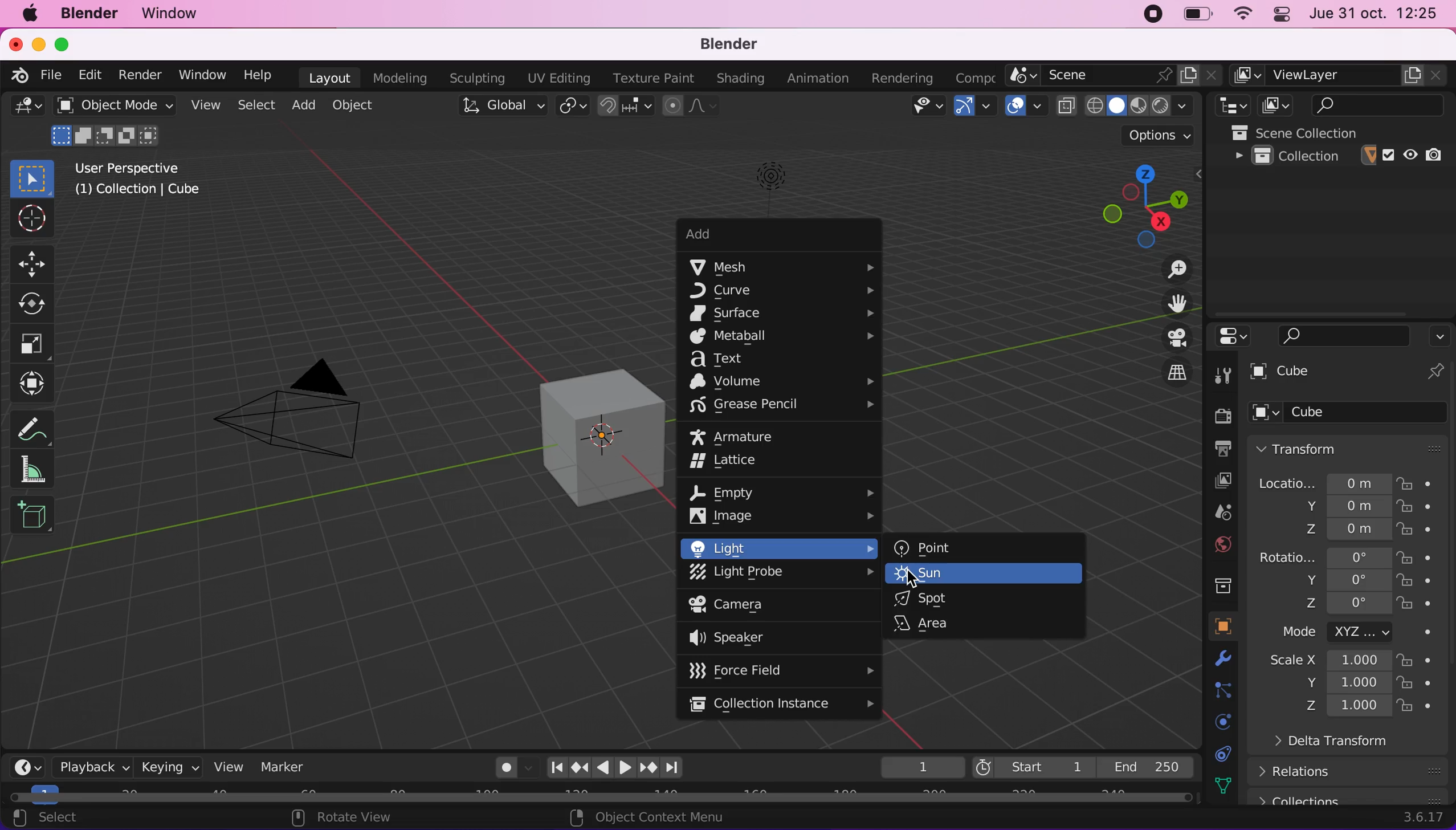 This screenshot has width=1456, height=830. Describe the element at coordinates (578, 770) in the screenshot. I see `Jump to keyframe` at that location.